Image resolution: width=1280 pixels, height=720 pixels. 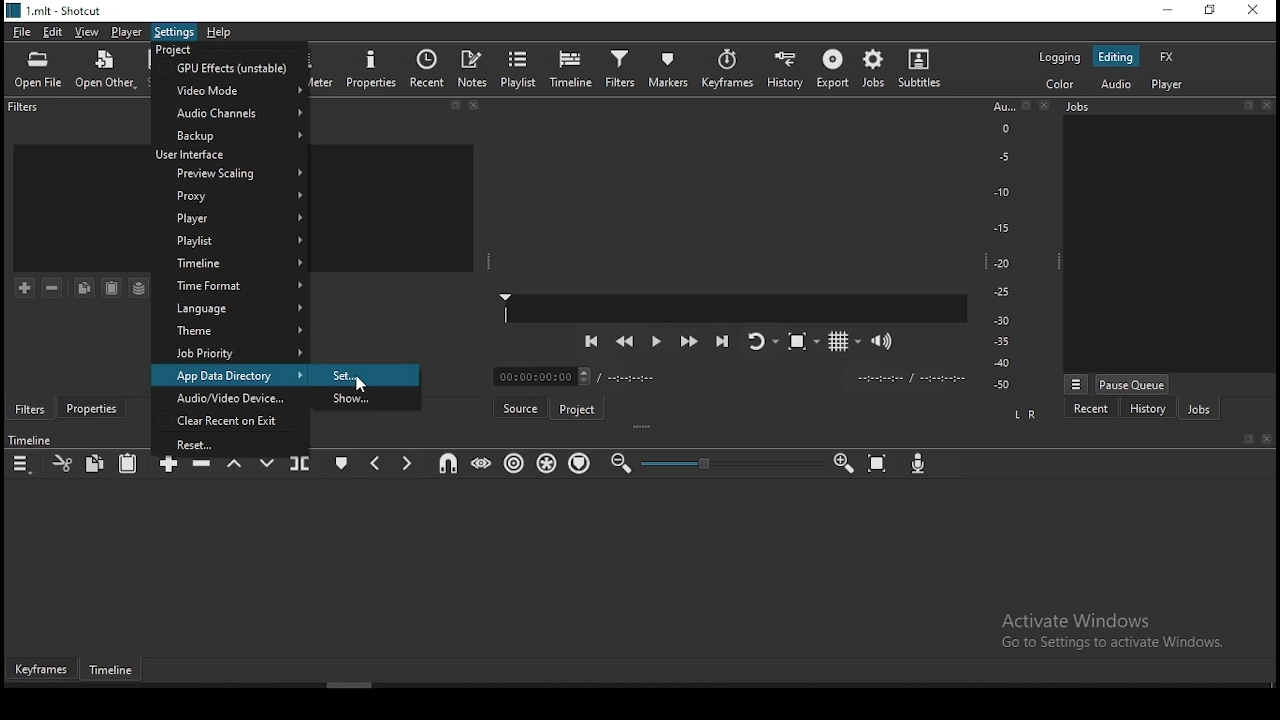 What do you see at coordinates (90, 410) in the screenshot?
I see `properties` at bounding box center [90, 410].